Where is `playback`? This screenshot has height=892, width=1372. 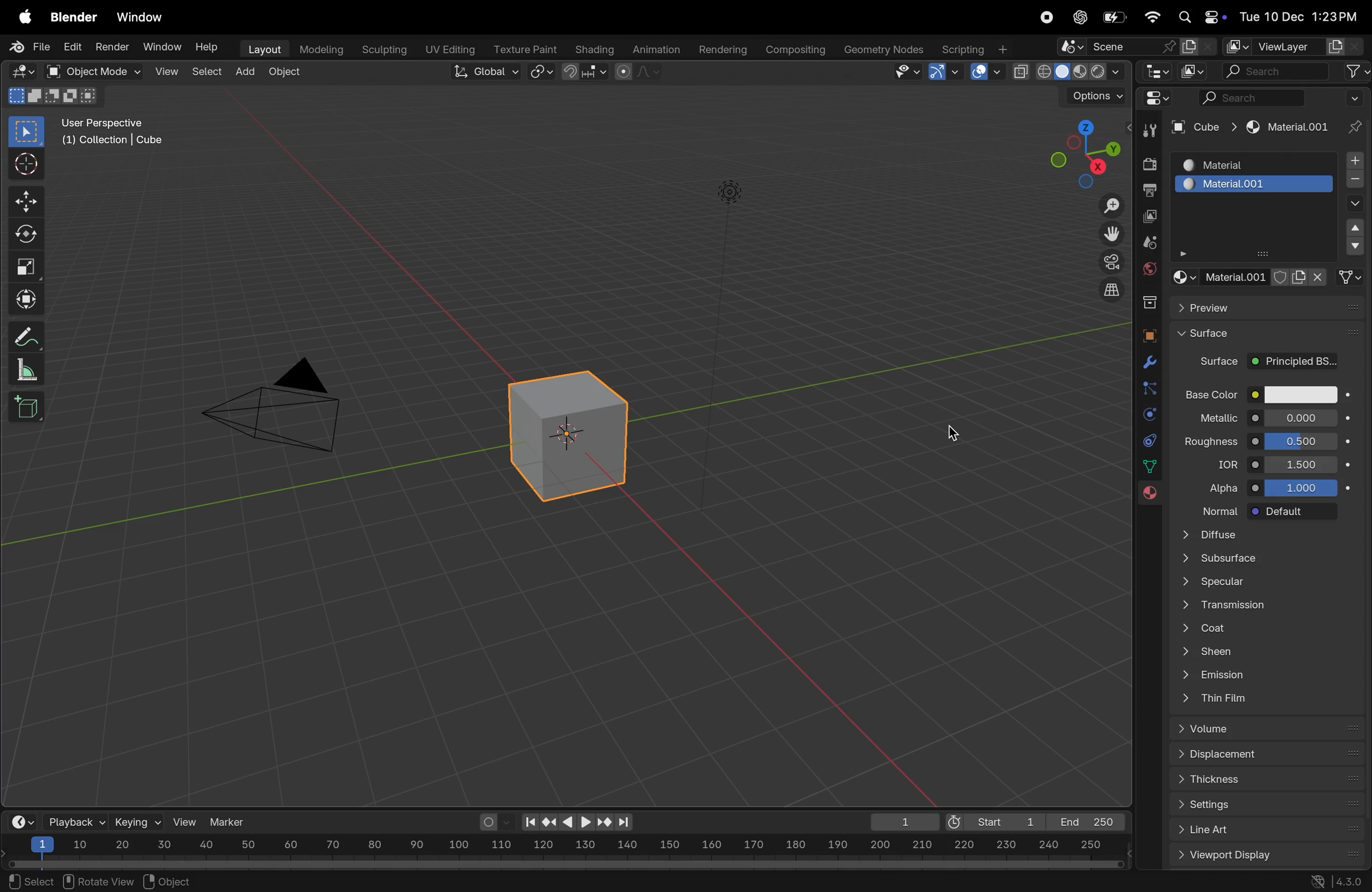 playback is located at coordinates (74, 821).